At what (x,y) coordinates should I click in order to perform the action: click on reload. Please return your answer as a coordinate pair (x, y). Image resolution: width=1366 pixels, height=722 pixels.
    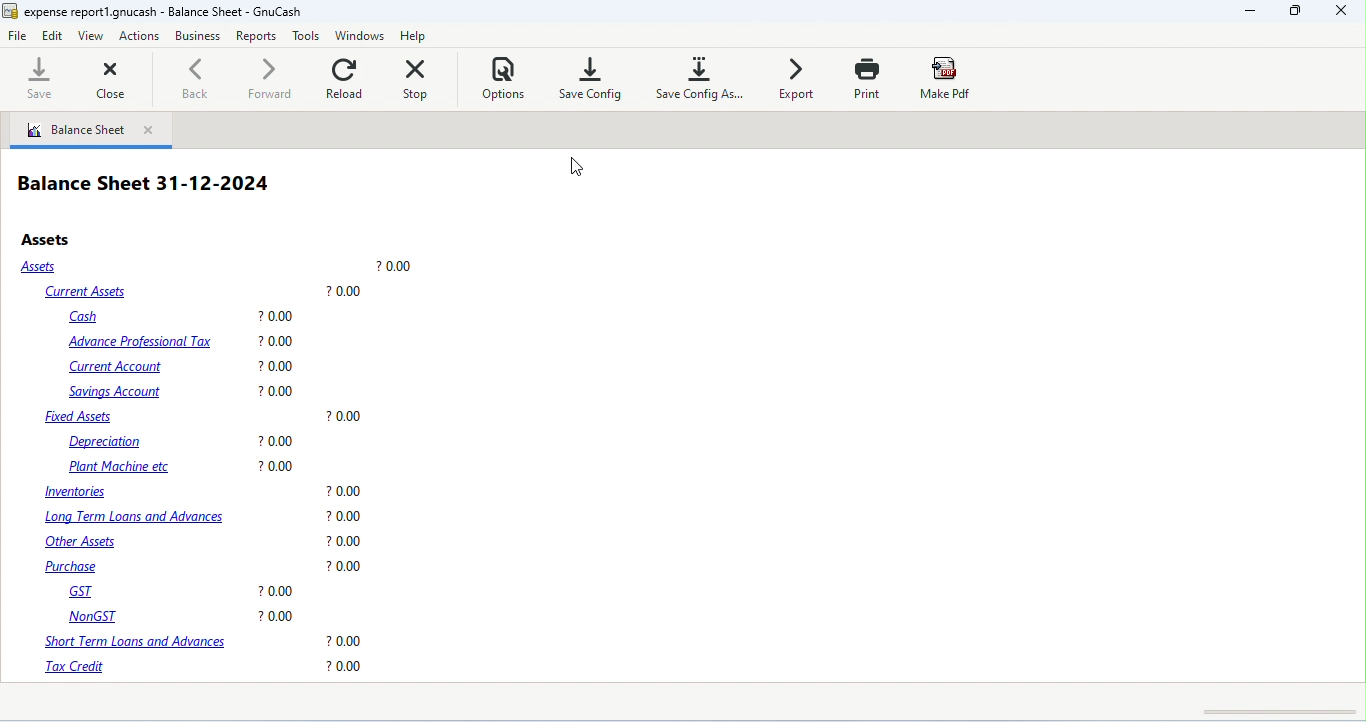
    Looking at the image, I should click on (347, 75).